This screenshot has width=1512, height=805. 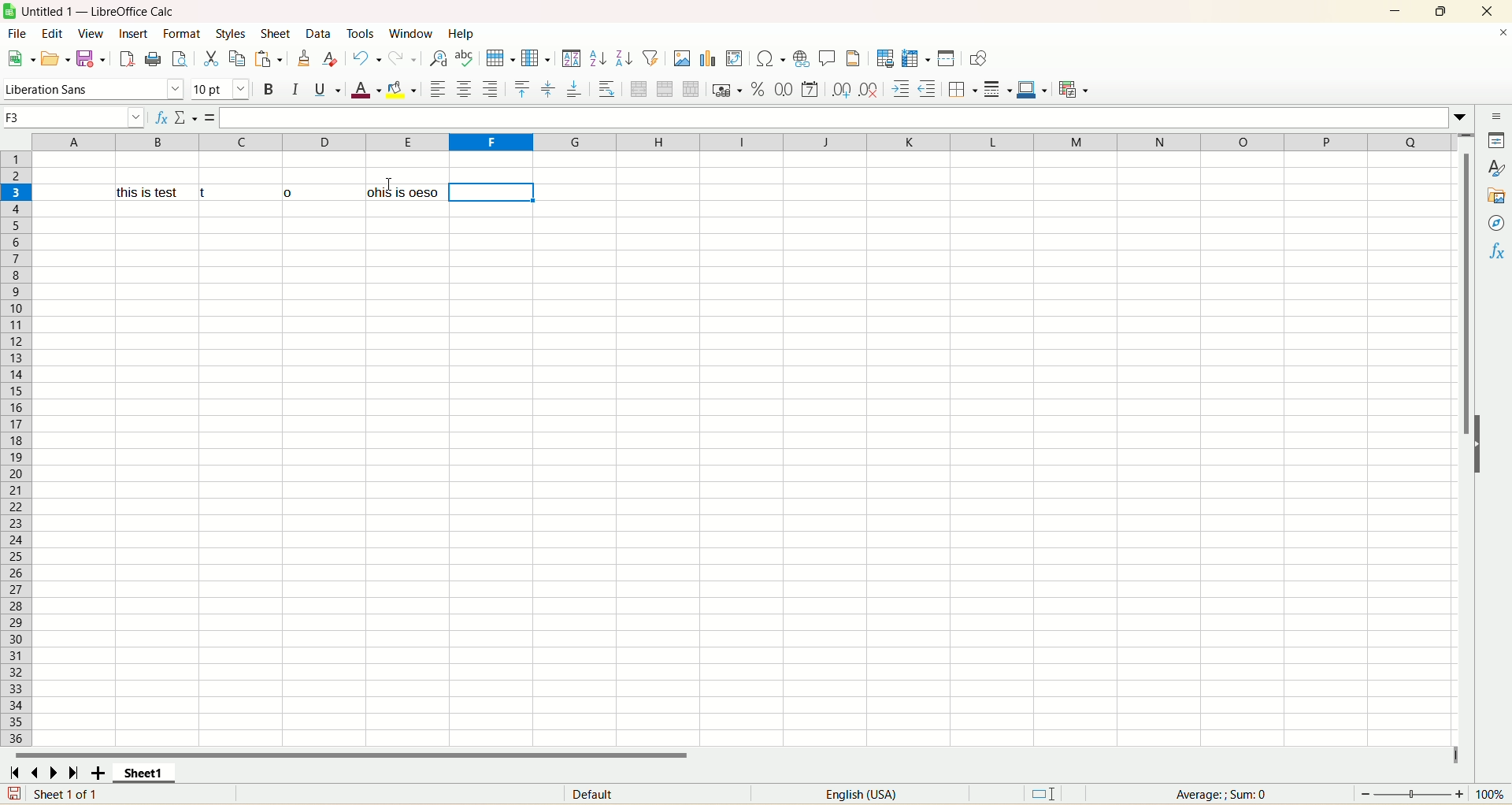 What do you see at coordinates (440, 89) in the screenshot?
I see `align left` at bounding box center [440, 89].